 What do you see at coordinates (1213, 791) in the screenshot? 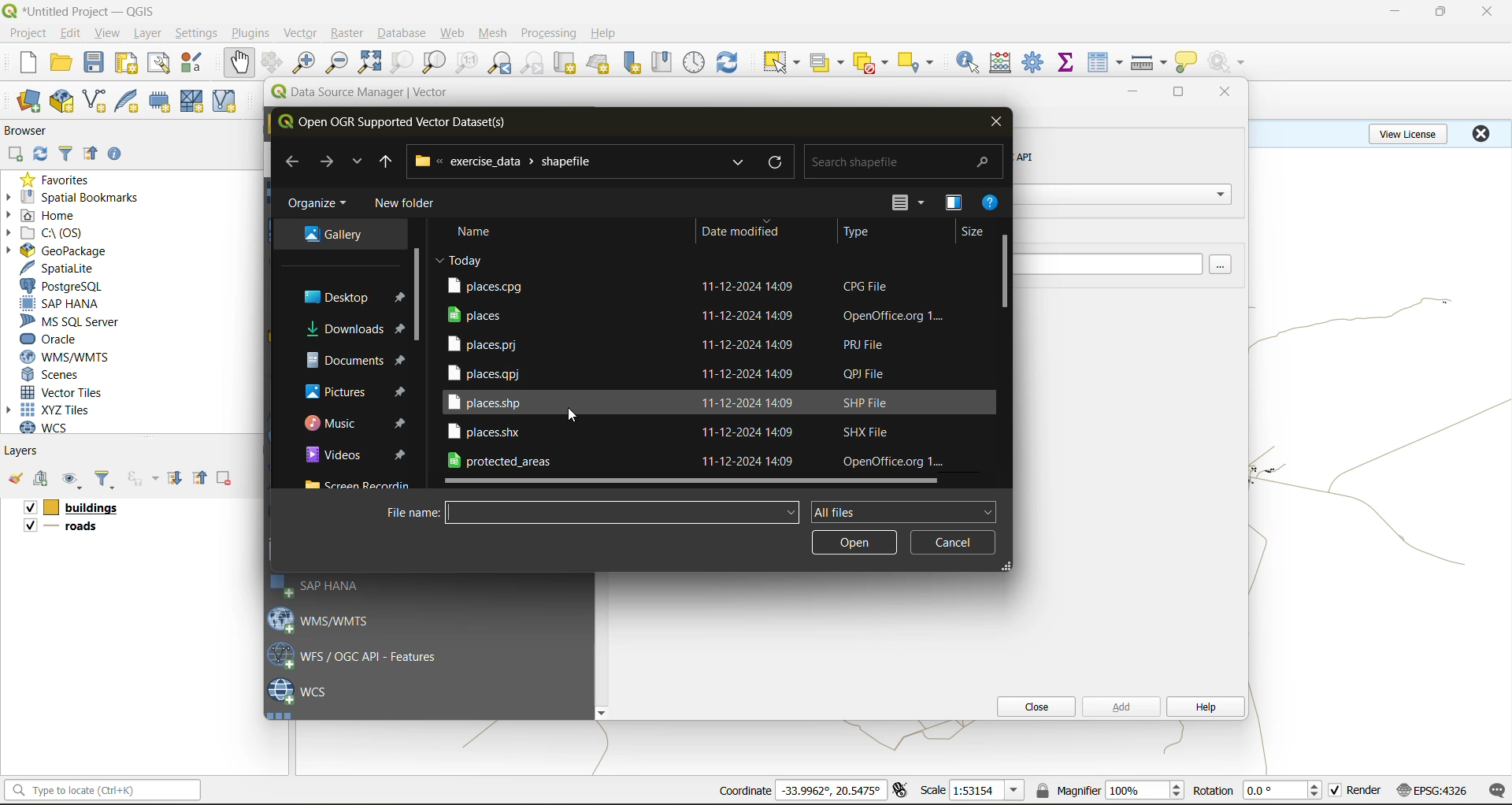
I see `rotation` at bounding box center [1213, 791].